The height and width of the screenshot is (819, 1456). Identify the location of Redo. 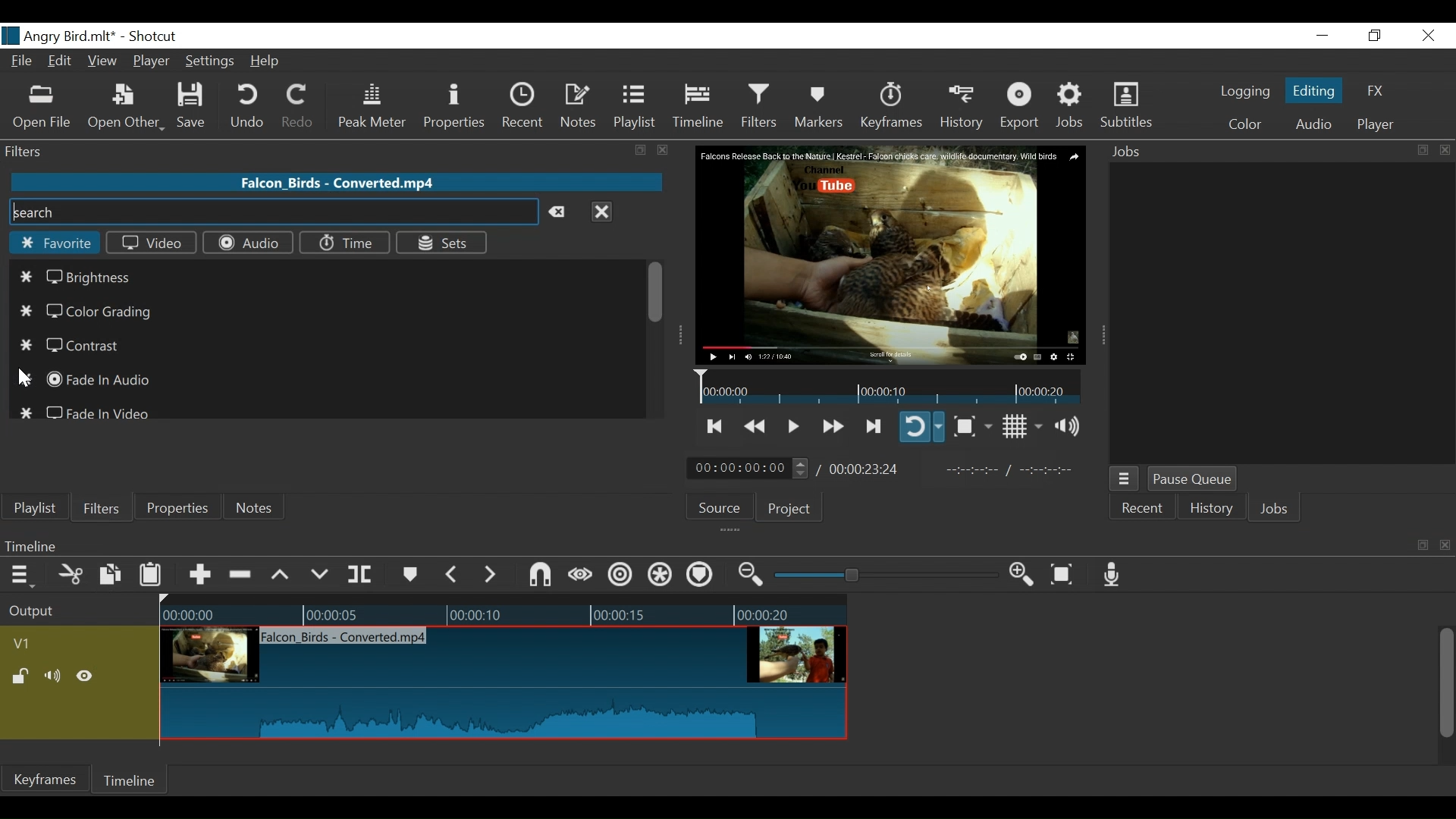
(299, 106).